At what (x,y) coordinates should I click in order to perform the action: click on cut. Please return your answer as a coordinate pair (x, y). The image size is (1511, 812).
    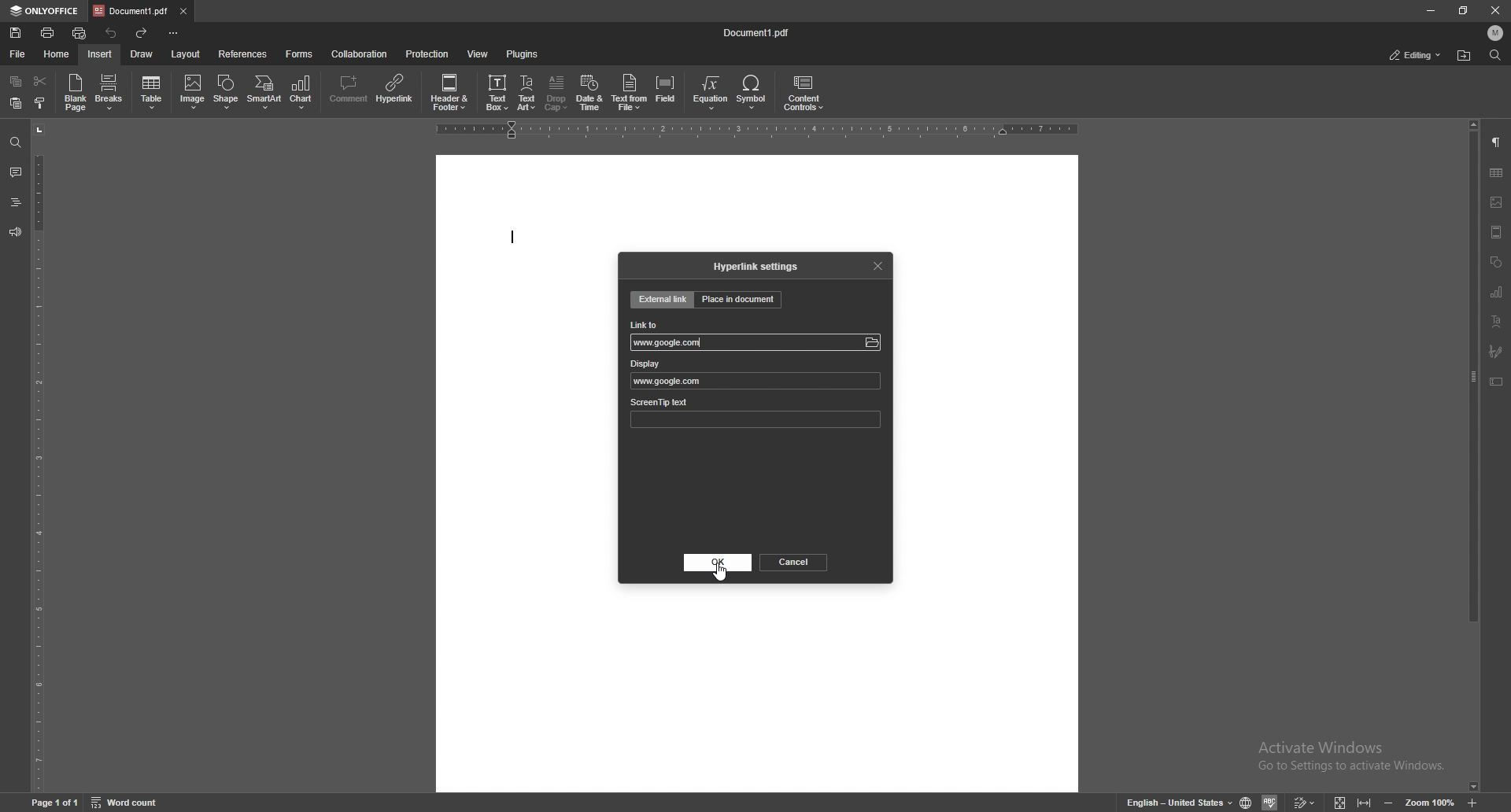
    Looking at the image, I should click on (41, 81).